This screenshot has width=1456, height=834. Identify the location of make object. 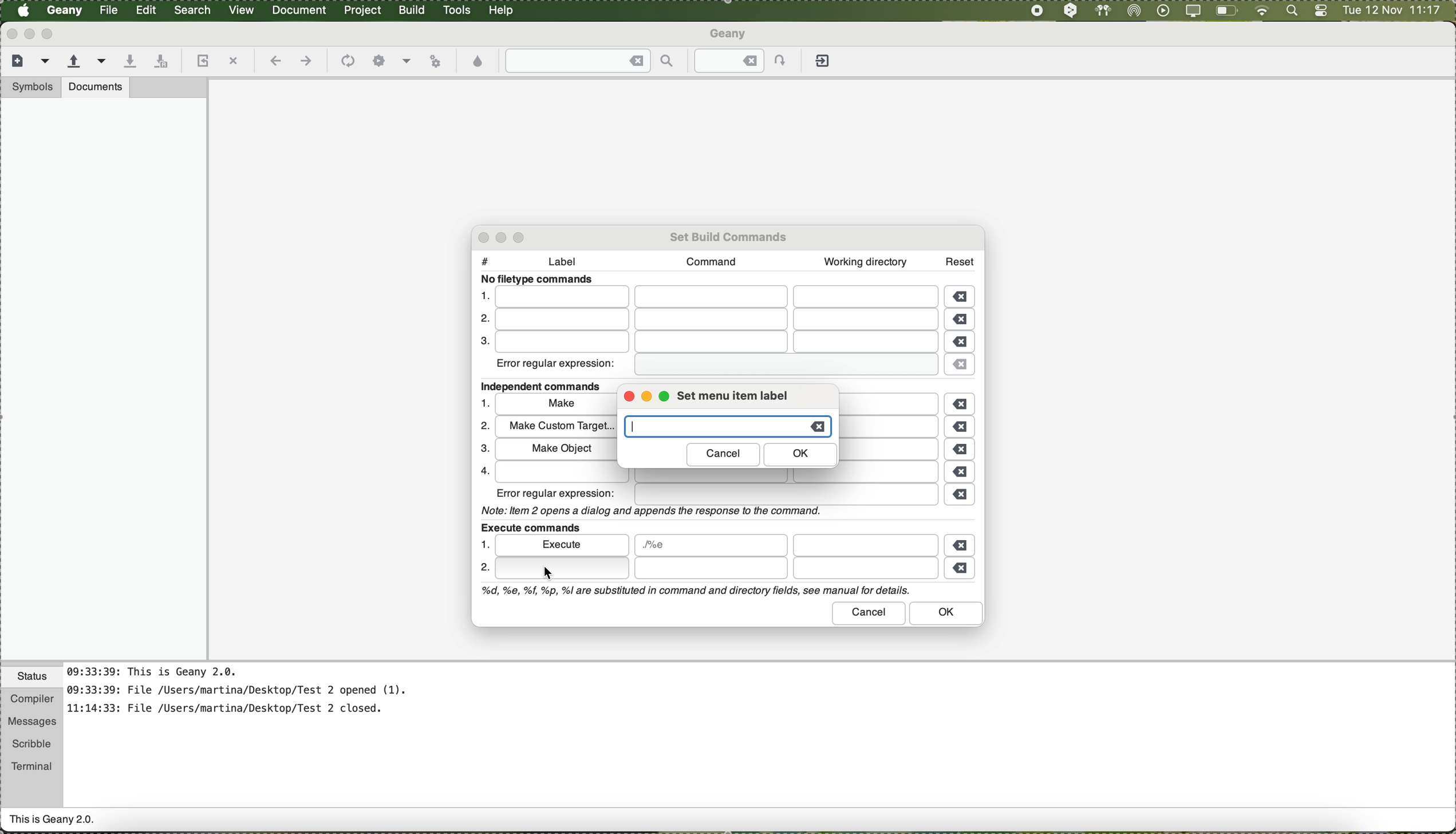
(554, 449).